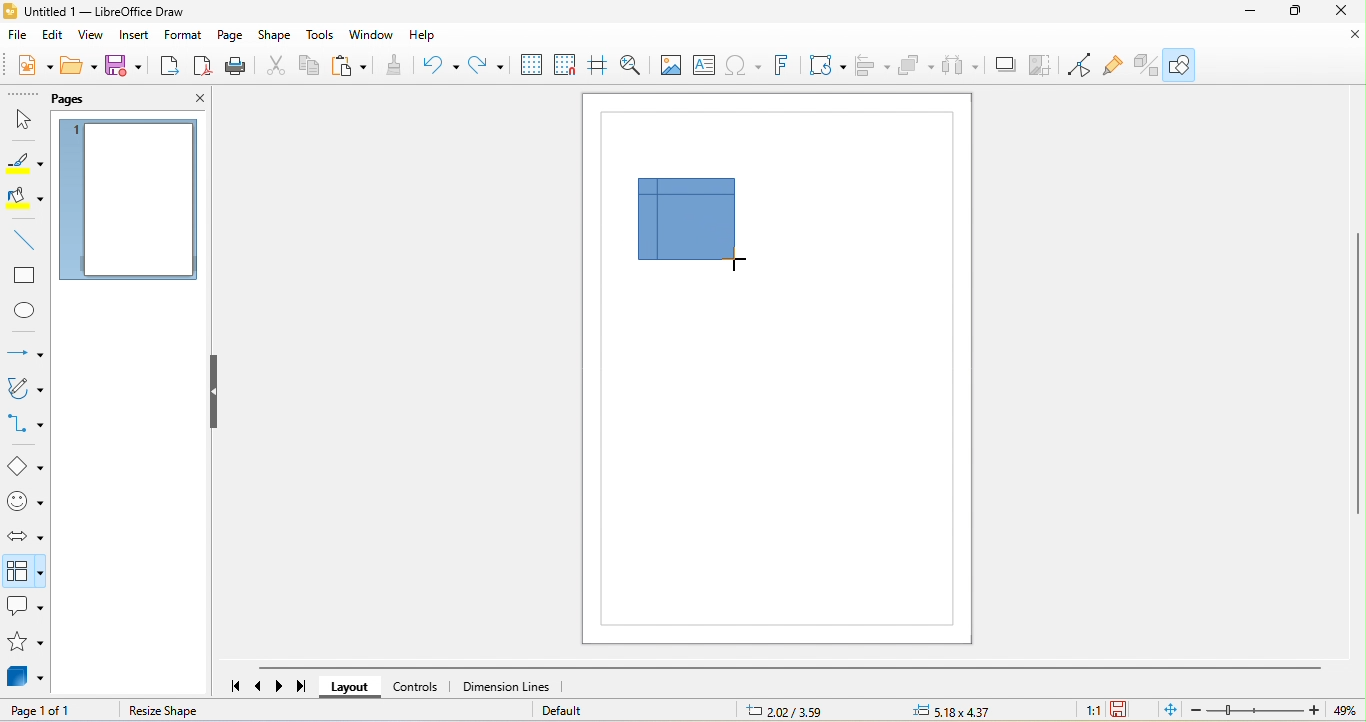 The height and width of the screenshot is (722, 1366). Describe the element at coordinates (373, 38) in the screenshot. I see `window` at that location.